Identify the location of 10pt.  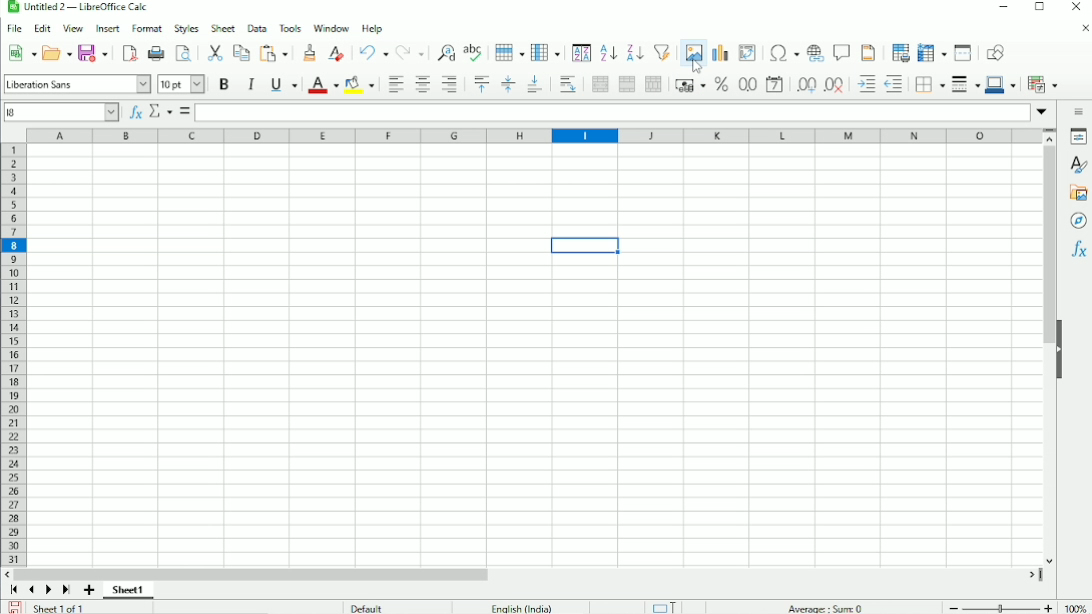
(181, 84).